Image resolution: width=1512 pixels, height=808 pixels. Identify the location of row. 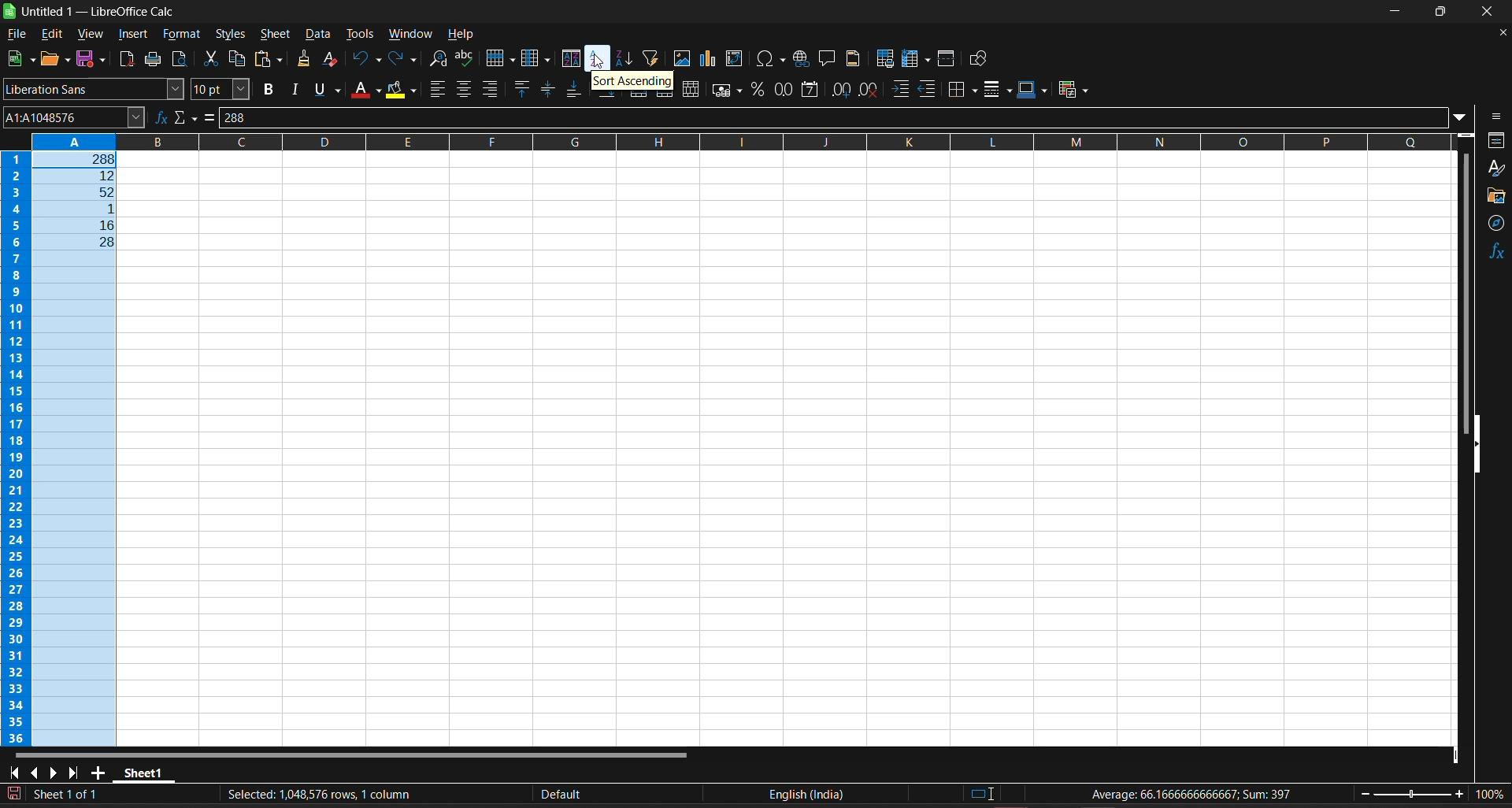
(499, 59).